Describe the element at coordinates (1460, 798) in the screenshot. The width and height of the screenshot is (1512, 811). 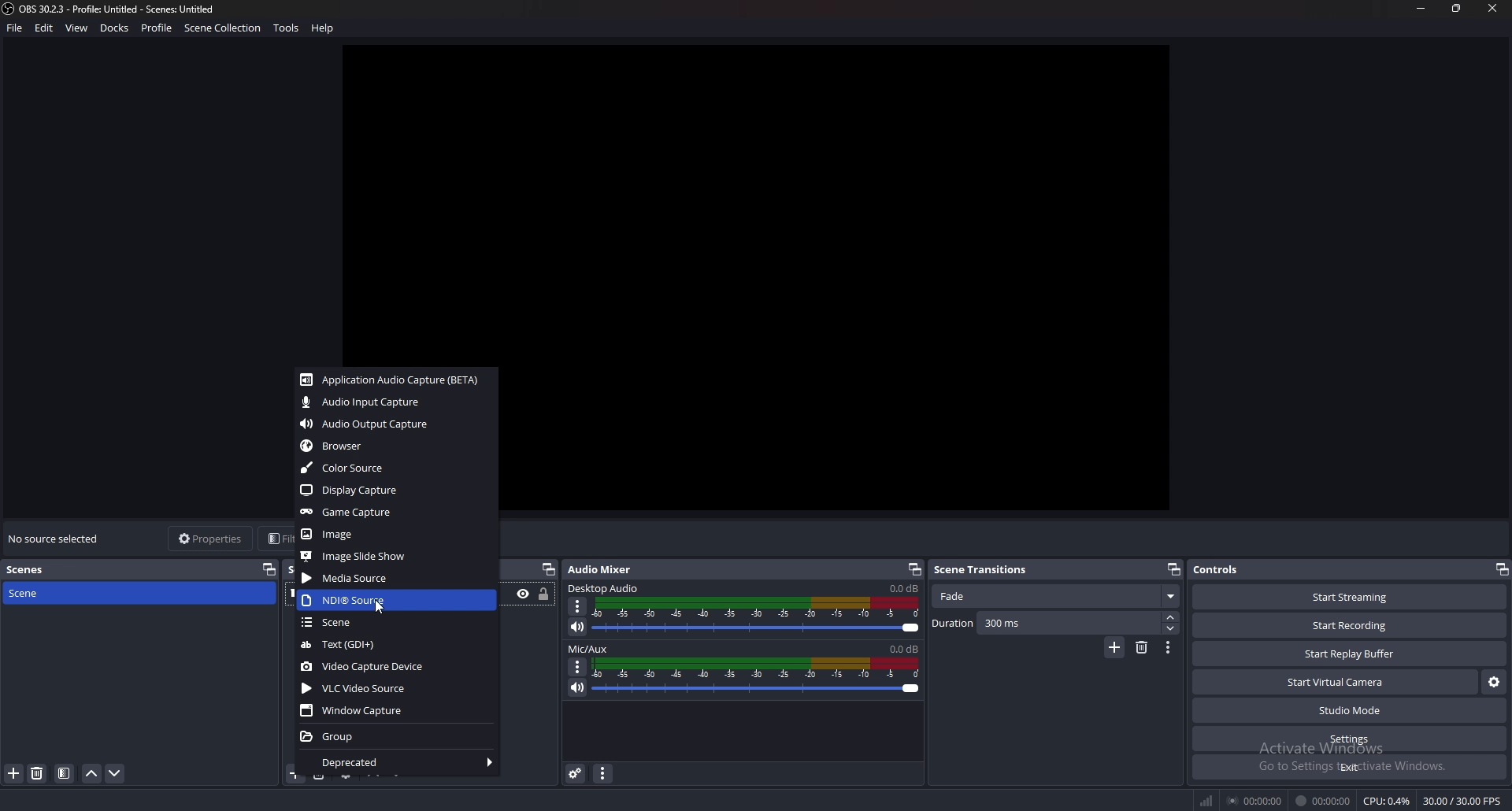
I see `fps` at that location.